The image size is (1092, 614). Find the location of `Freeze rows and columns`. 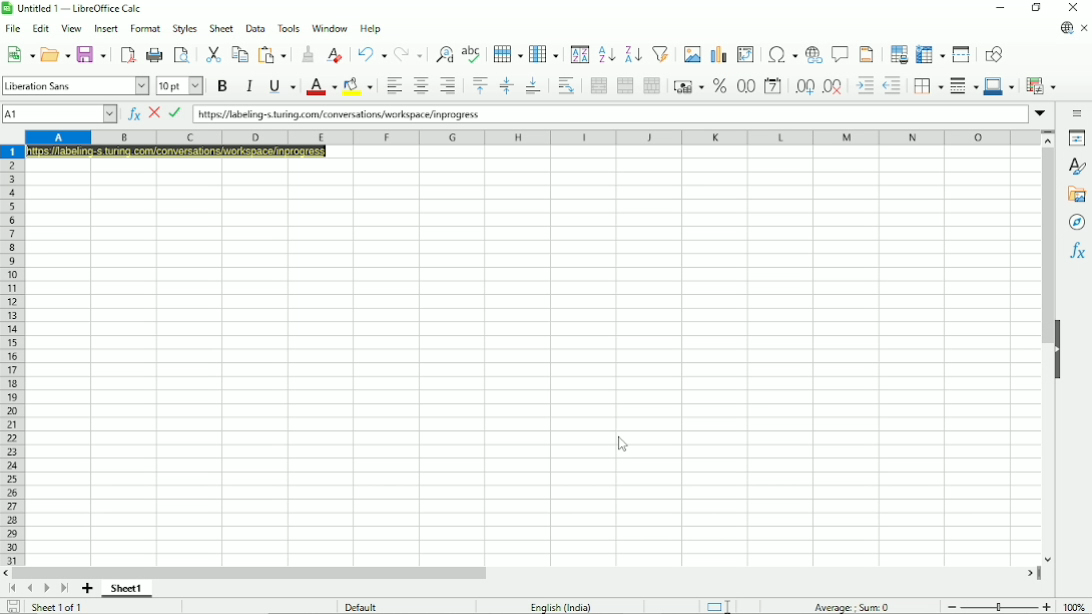

Freeze rows and columns is located at coordinates (930, 55).